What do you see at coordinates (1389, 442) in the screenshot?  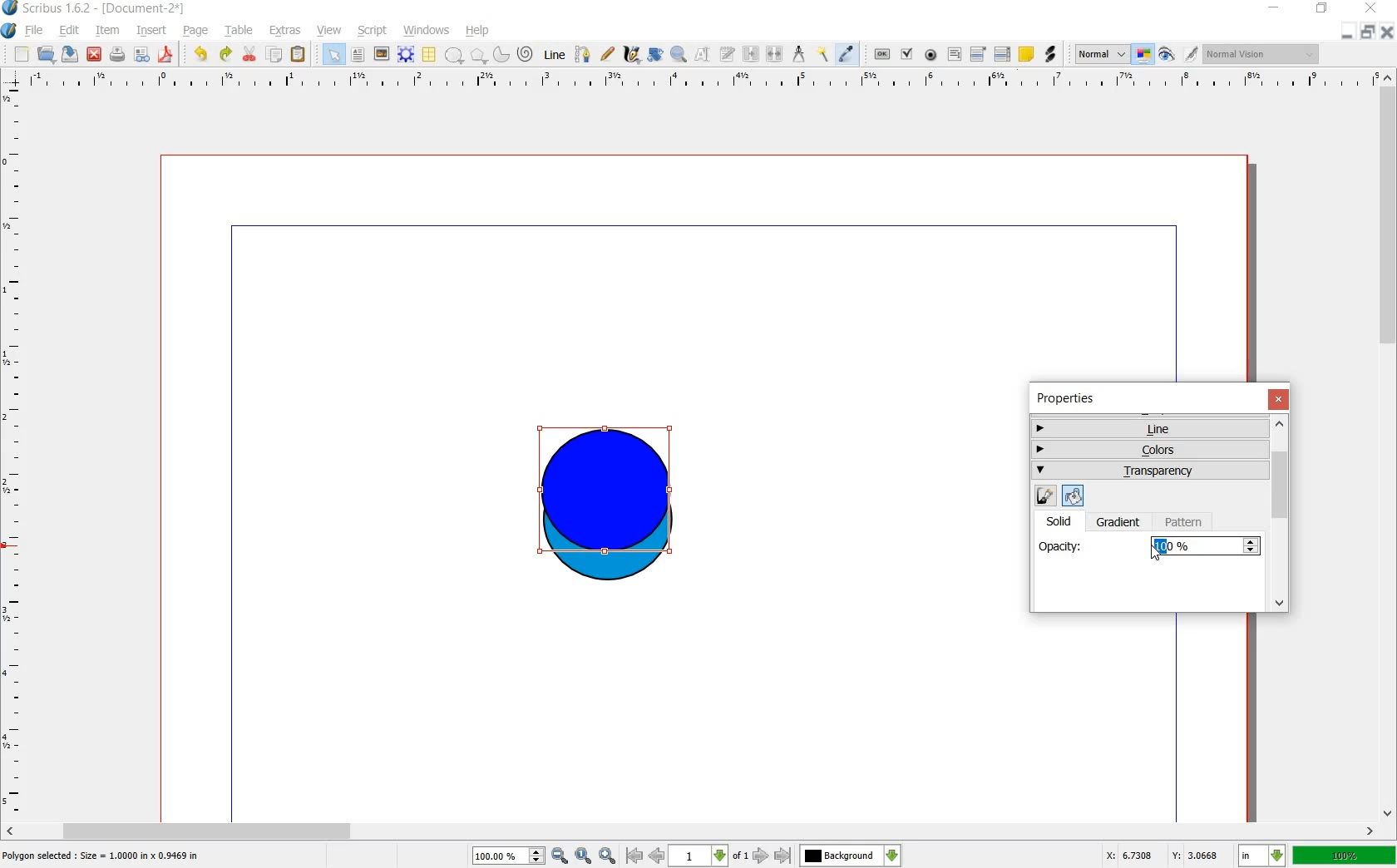 I see `scroll bar` at bounding box center [1389, 442].